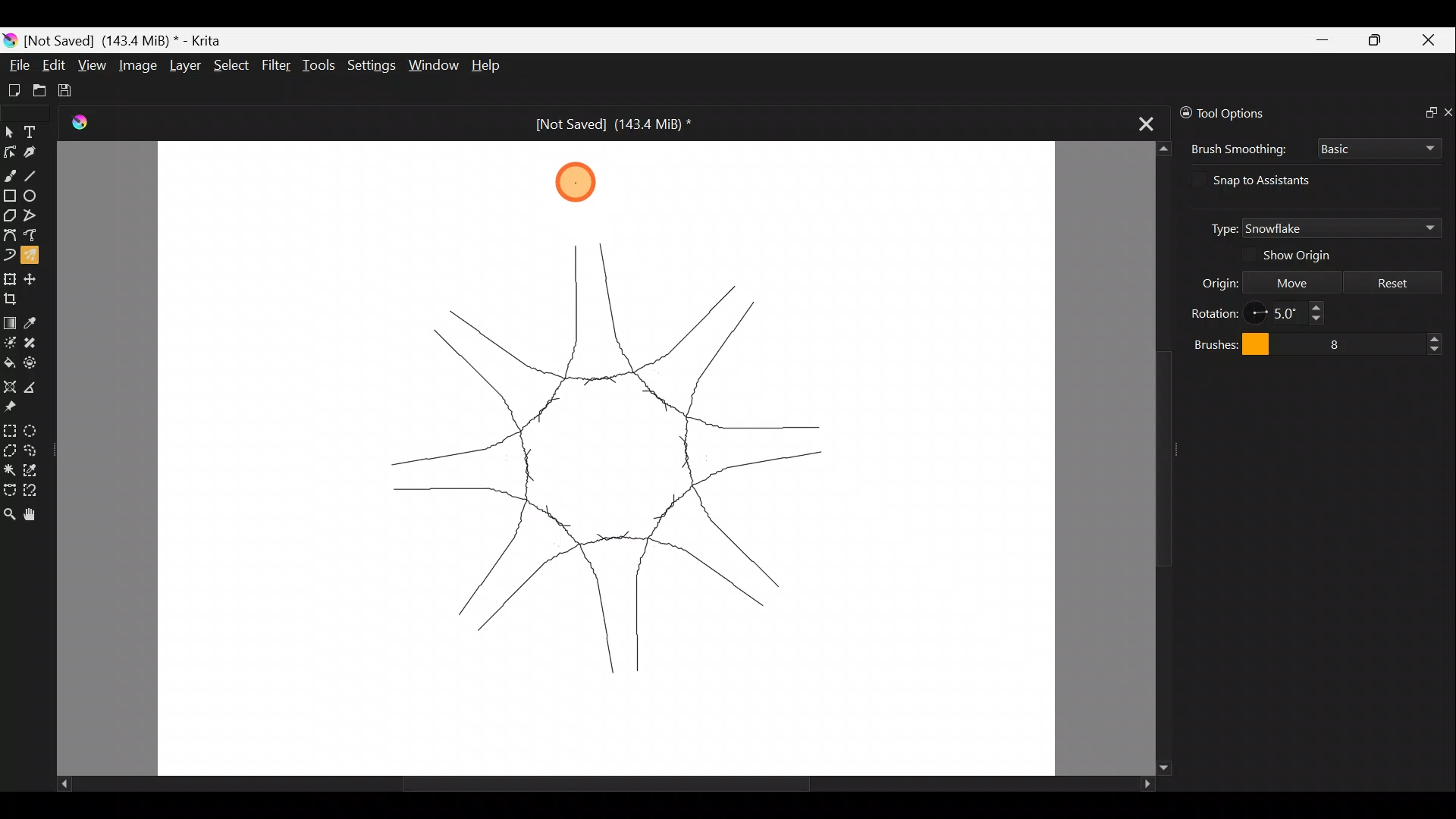 The width and height of the screenshot is (1456, 819). Describe the element at coordinates (581, 783) in the screenshot. I see `Scroll bar` at that location.